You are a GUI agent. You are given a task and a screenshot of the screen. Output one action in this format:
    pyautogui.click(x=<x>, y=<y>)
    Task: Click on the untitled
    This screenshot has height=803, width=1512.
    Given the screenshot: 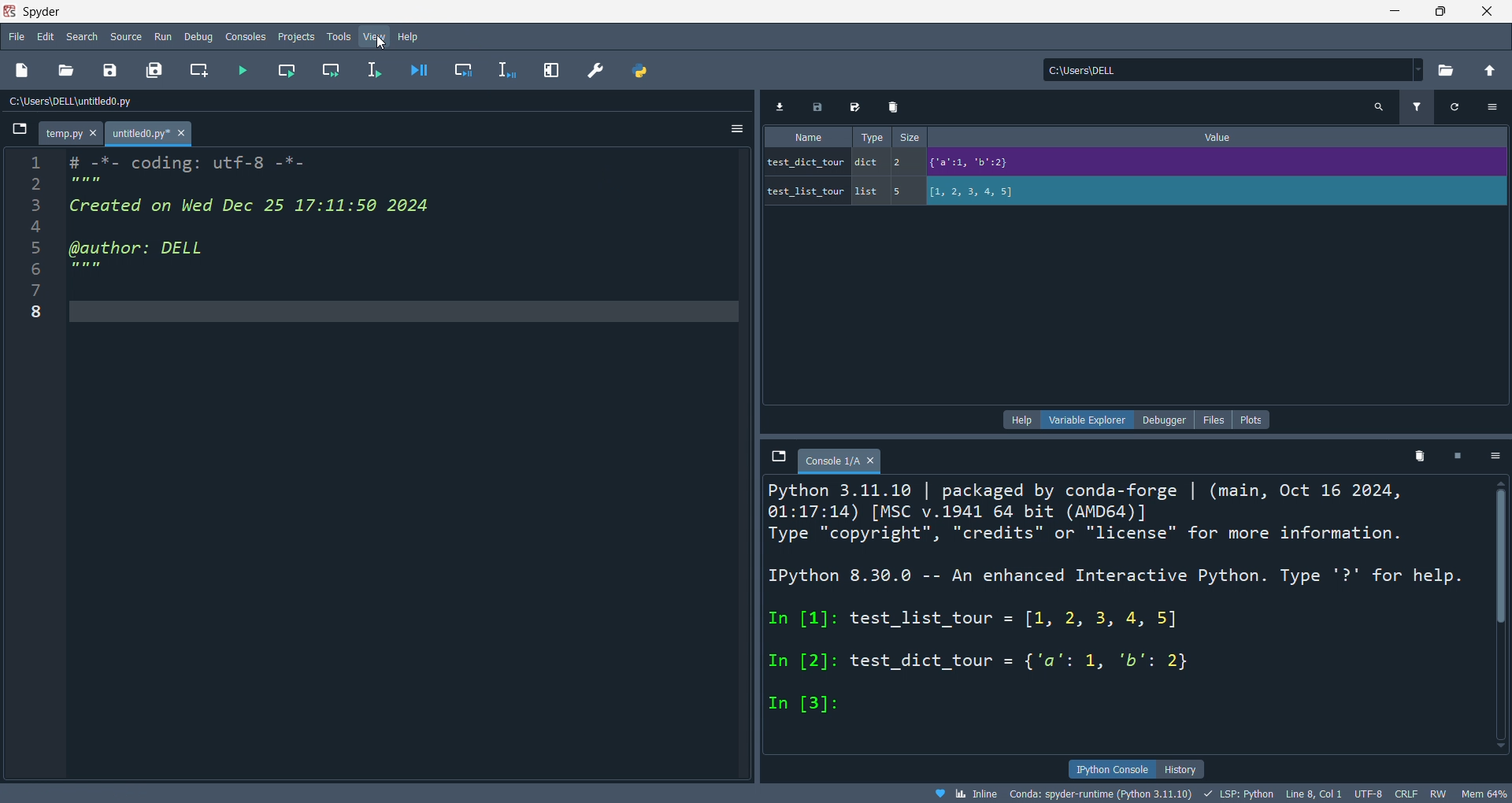 What is the action you would take?
    pyautogui.click(x=151, y=135)
    